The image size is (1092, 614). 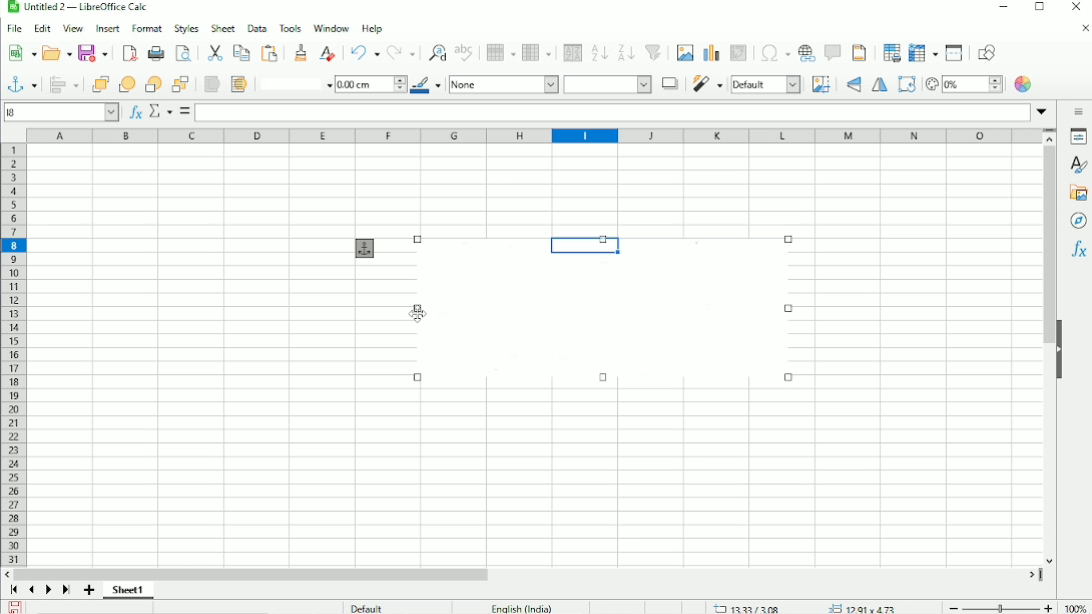 I want to click on Shadow, so click(x=669, y=83).